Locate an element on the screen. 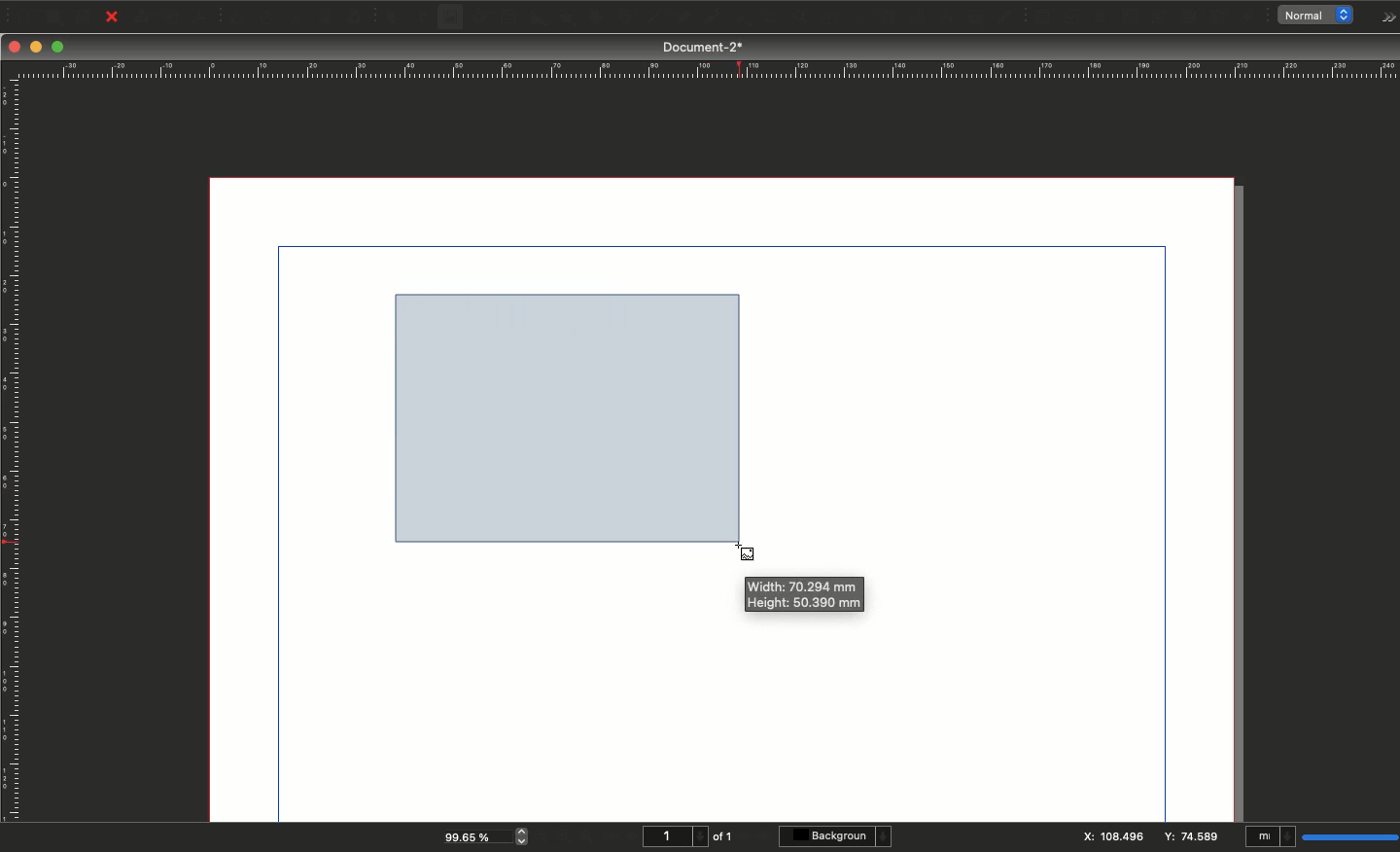 The width and height of the screenshot is (1400, 852). New is located at coordinates (21, 15).